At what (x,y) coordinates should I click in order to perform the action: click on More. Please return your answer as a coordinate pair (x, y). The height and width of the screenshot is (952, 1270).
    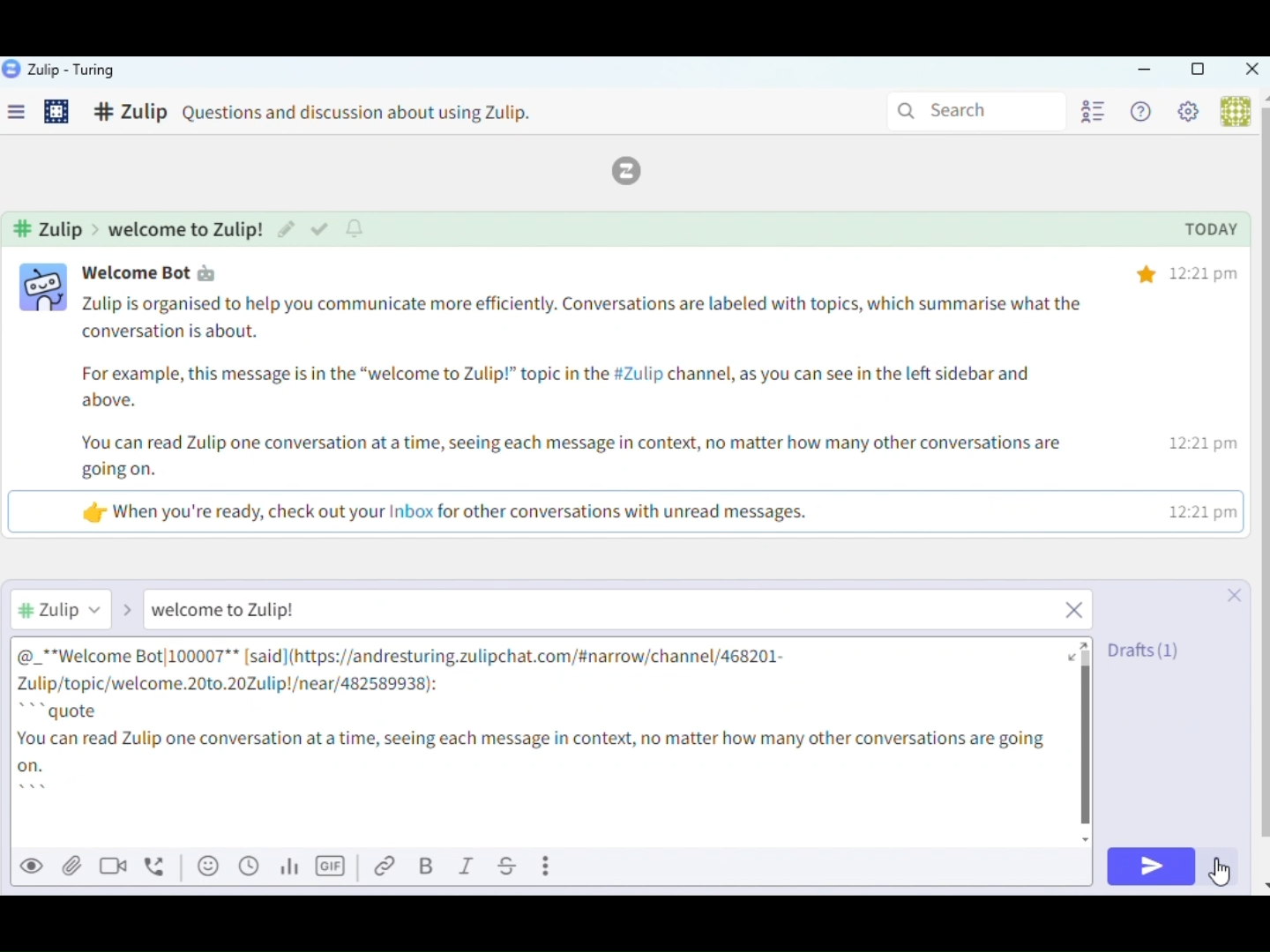
    Looking at the image, I should click on (549, 865).